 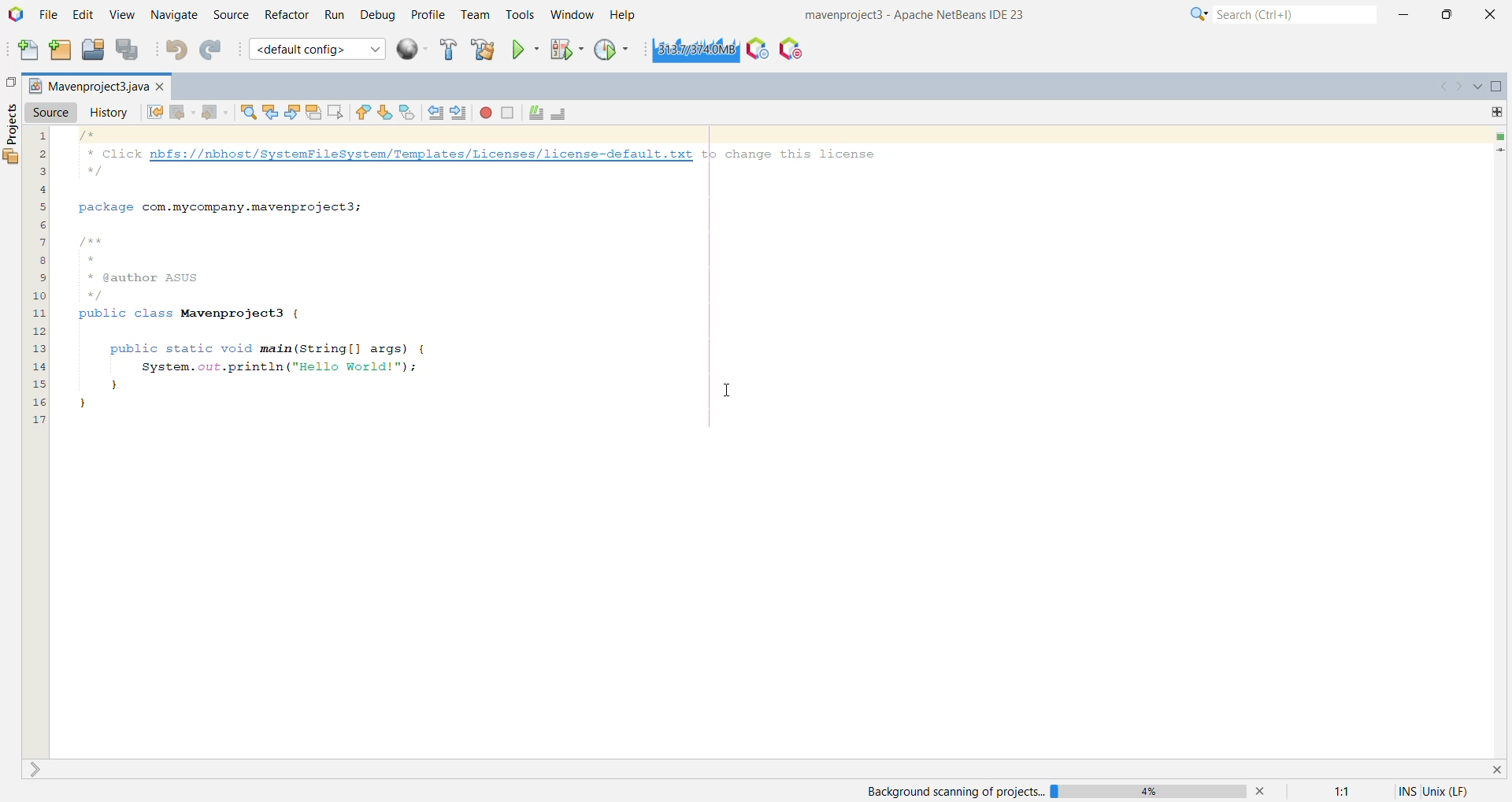 What do you see at coordinates (410, 50) in the screenshot?
I see `` at bounding box center [410, 50].